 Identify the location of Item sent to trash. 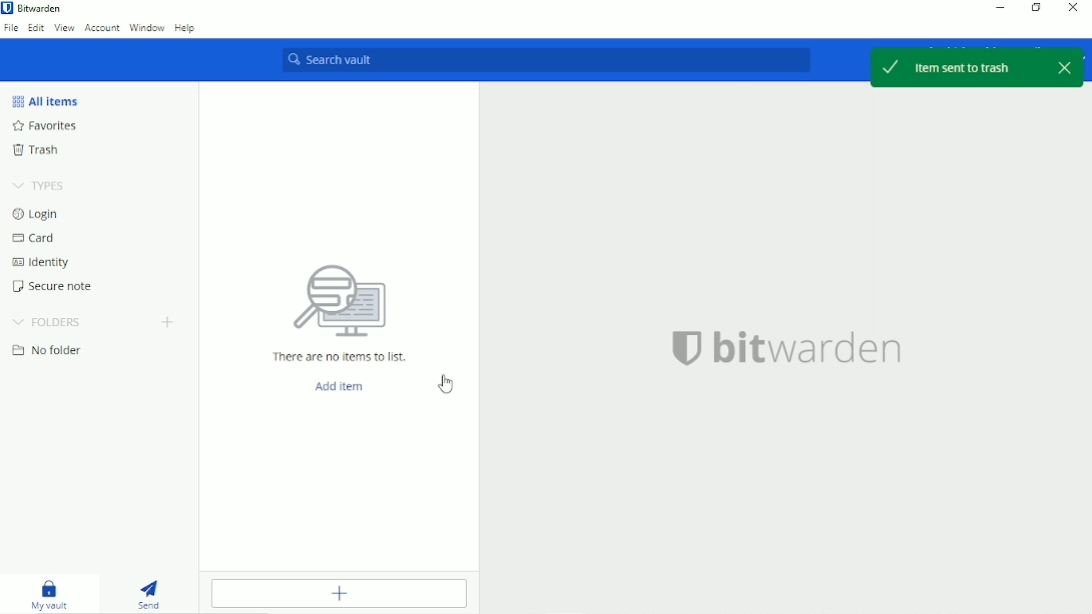
(965, 71).